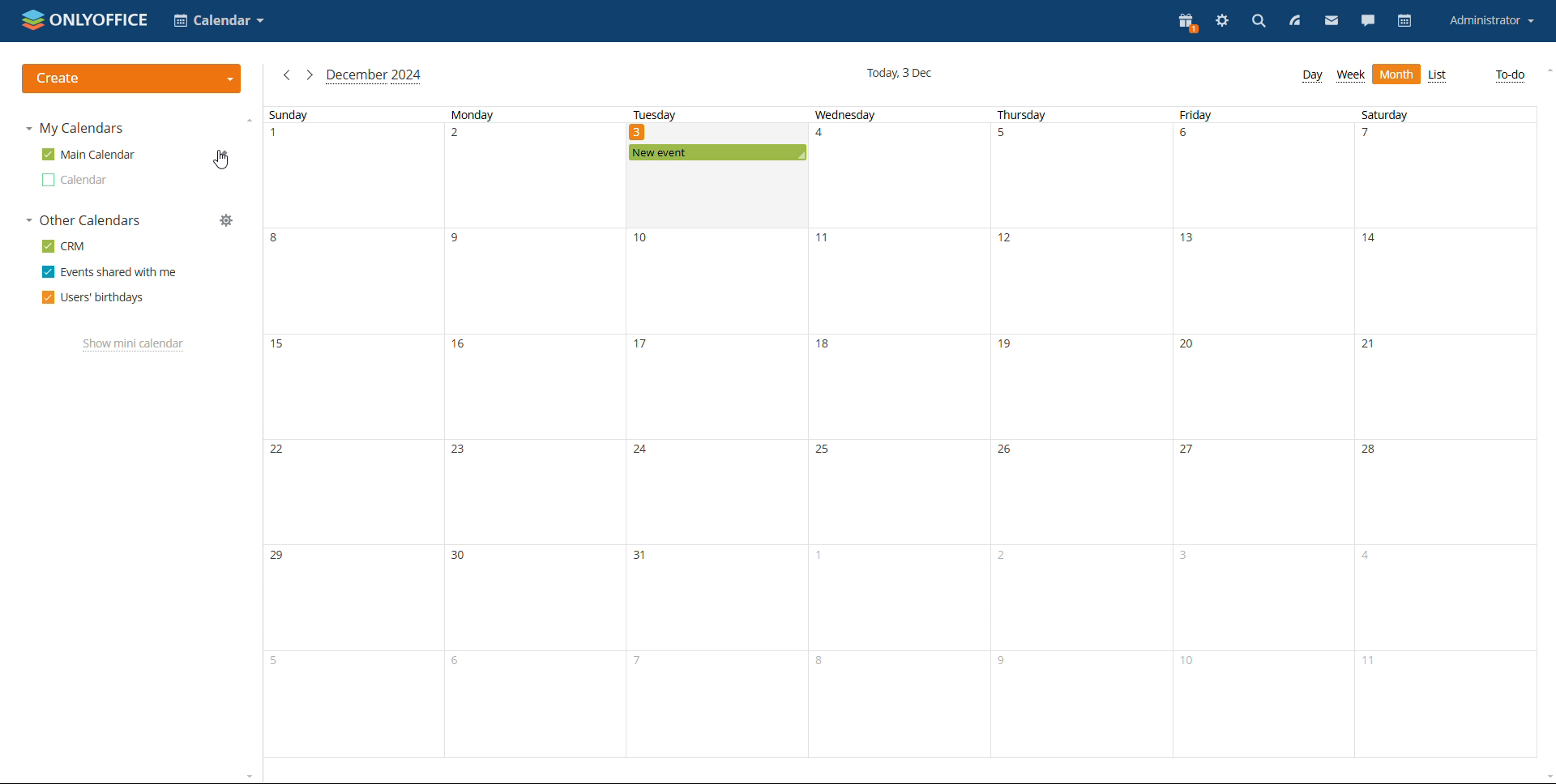 The width and height of the screenshot is (1556, 784). I want to click on mail, so click(1332, 22).